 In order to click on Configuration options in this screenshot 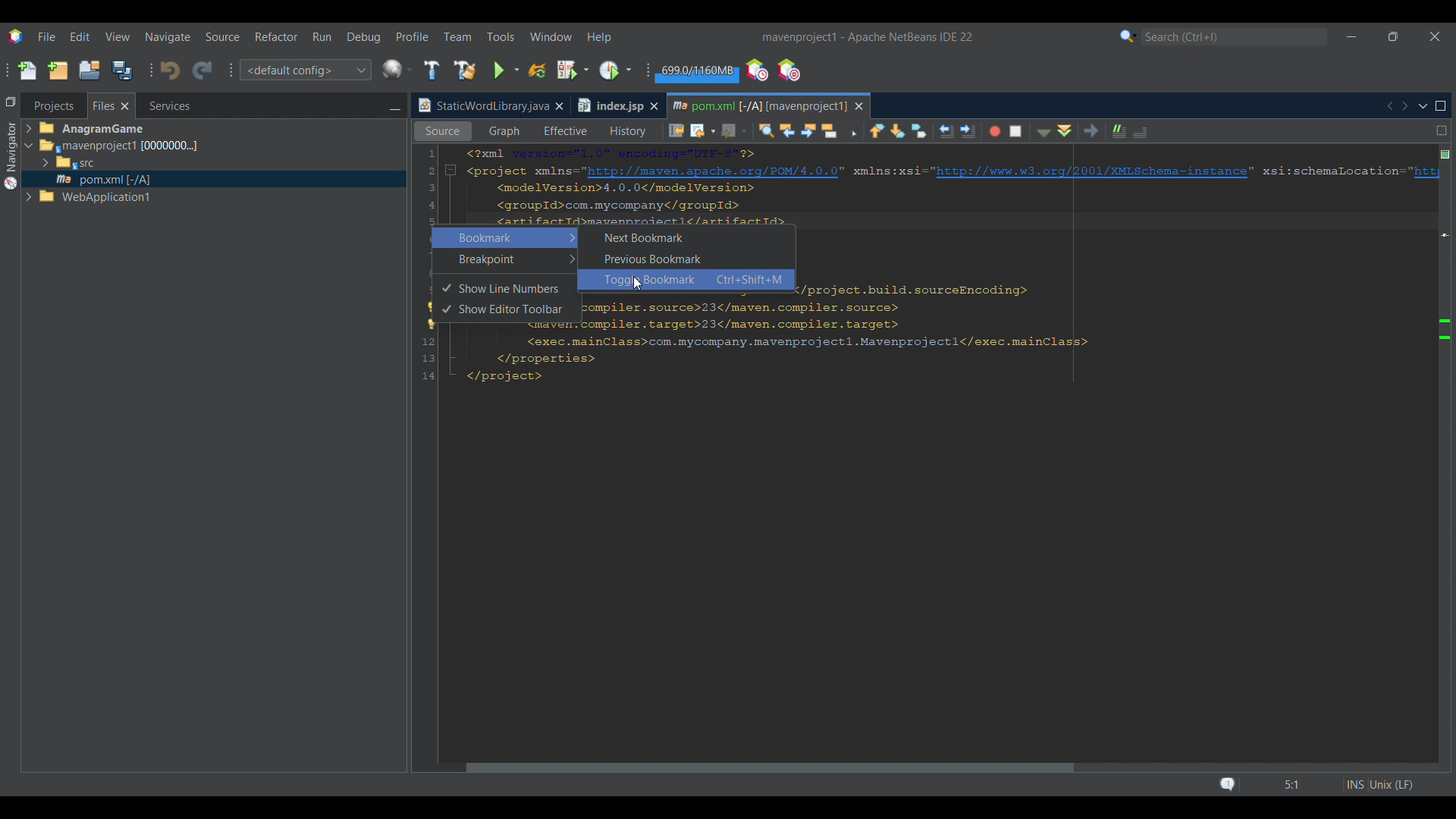, I will do `click(305, 70)`.